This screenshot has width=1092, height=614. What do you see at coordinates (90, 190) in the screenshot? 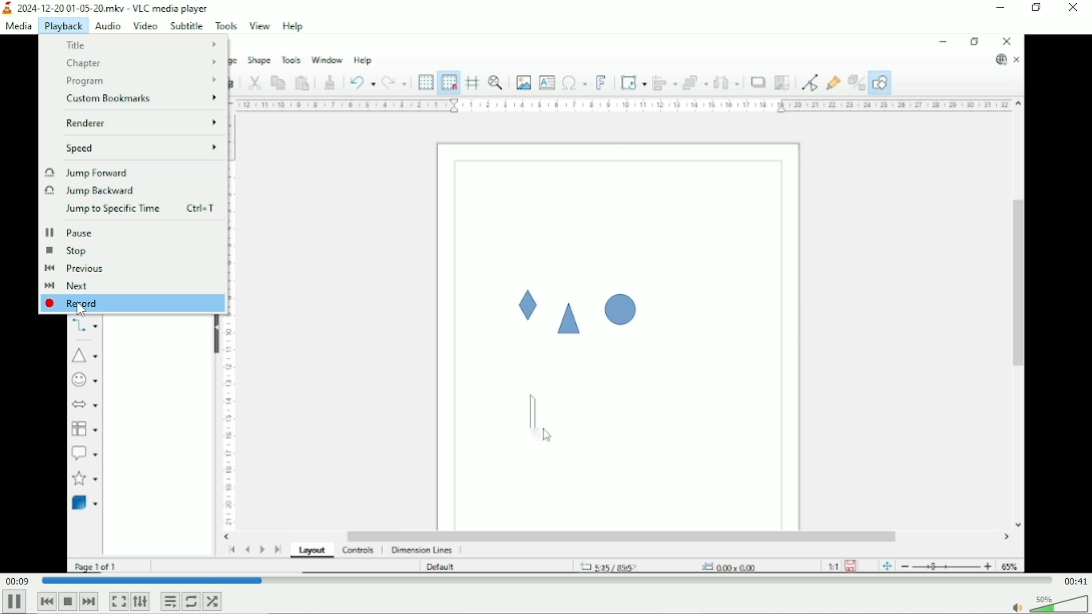
I see `Jump backward` at bounding box center [90, 190].